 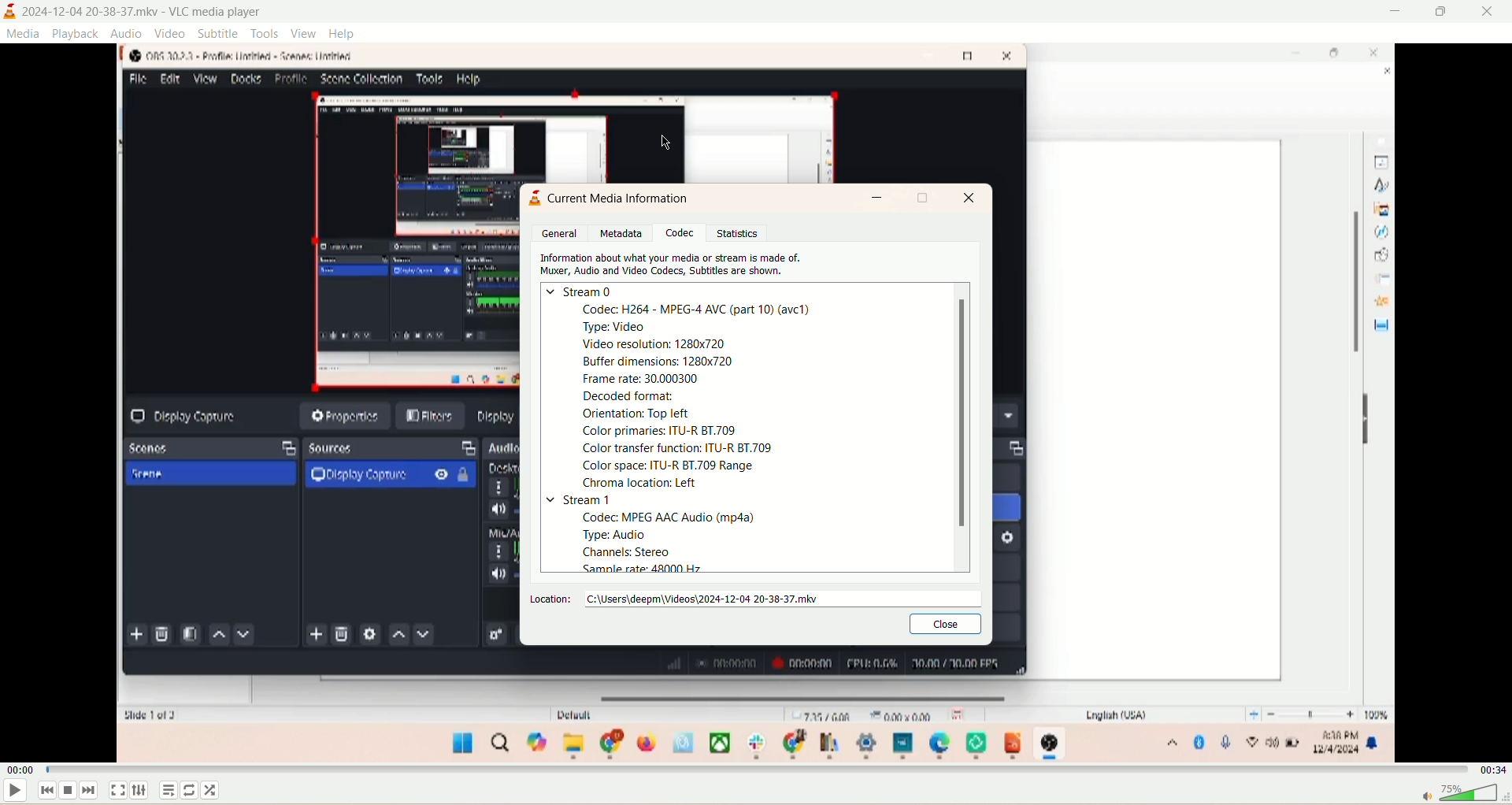 What do you see at coordinates (944, 622) in the screenshot?
I see `close` at bounding box center [944, 622].